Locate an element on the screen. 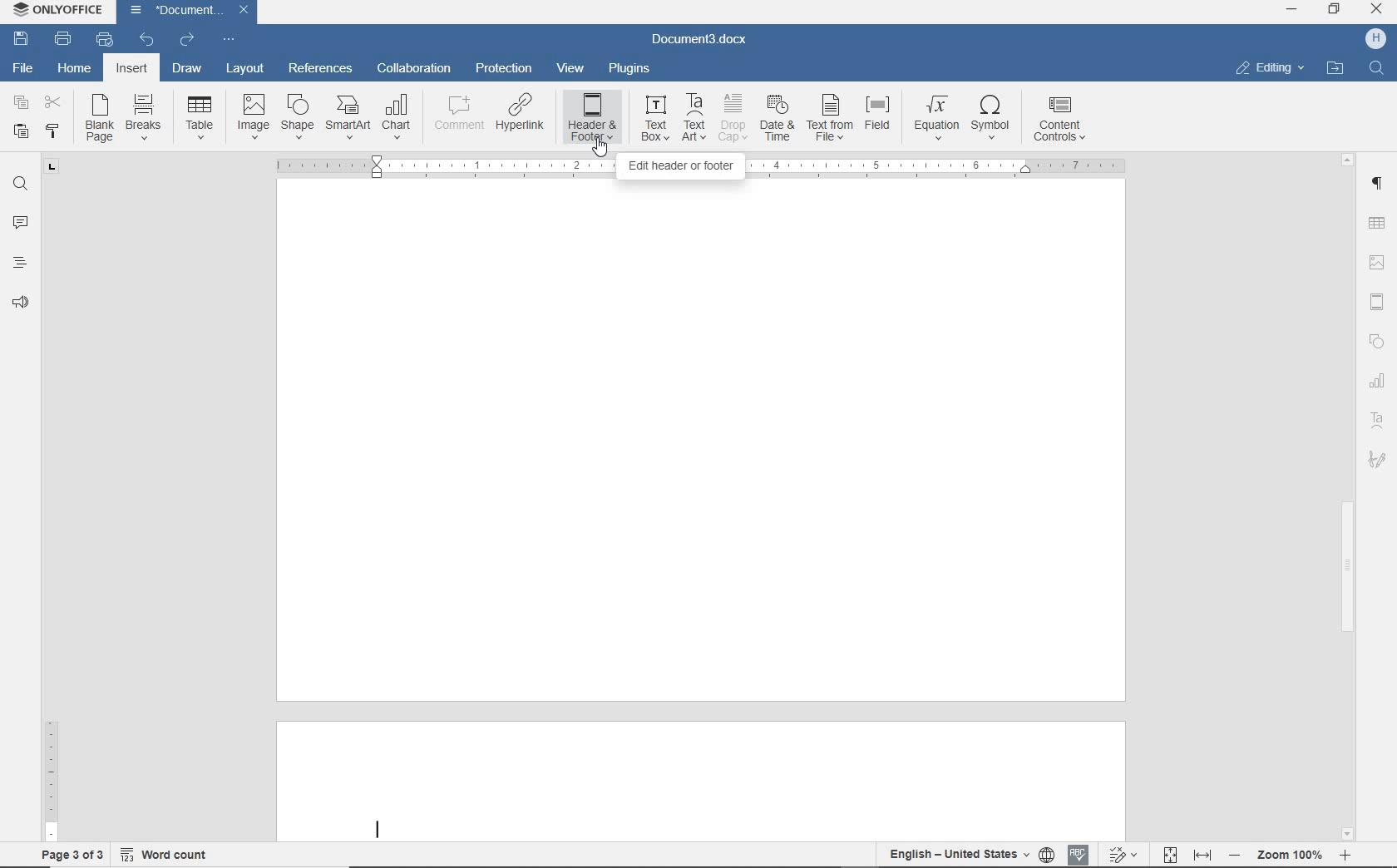 The width and height of the screenshot is (1397, 868). Zoom out is located at coordinates (1233, 854).